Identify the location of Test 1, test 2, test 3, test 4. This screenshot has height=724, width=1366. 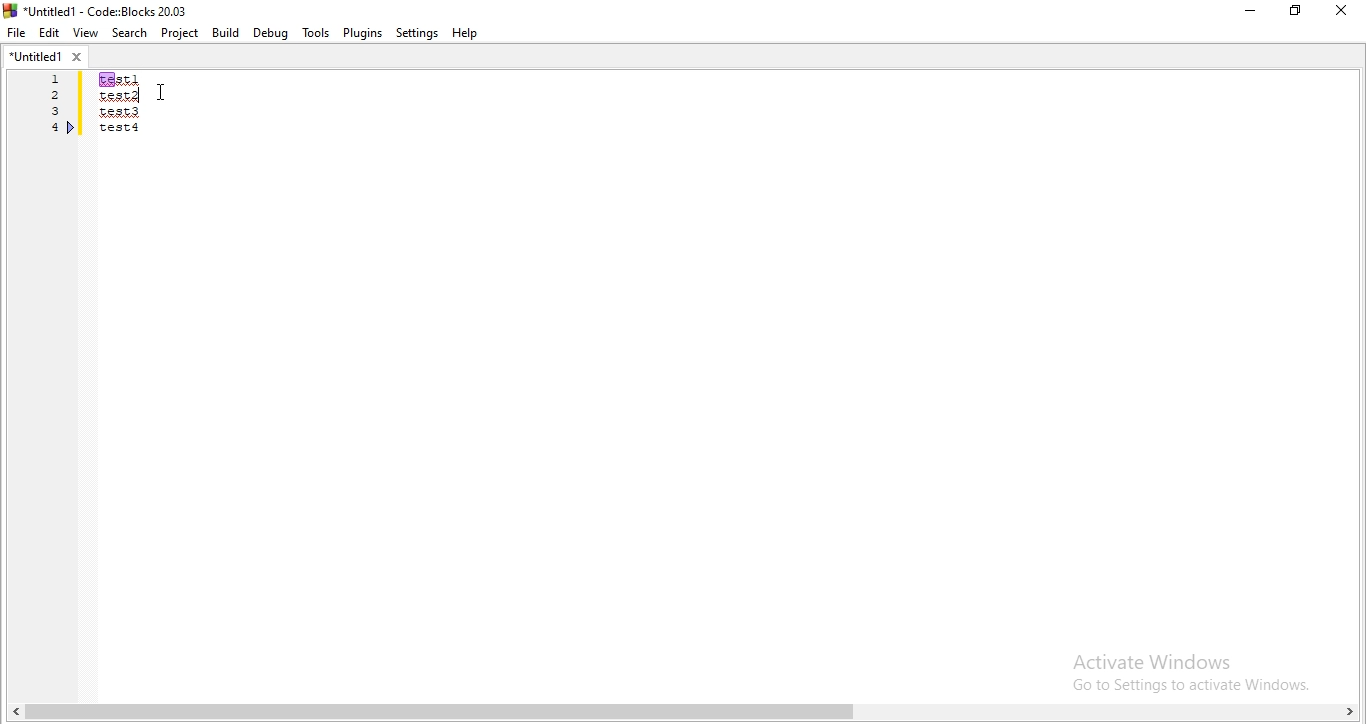
(146, 119).